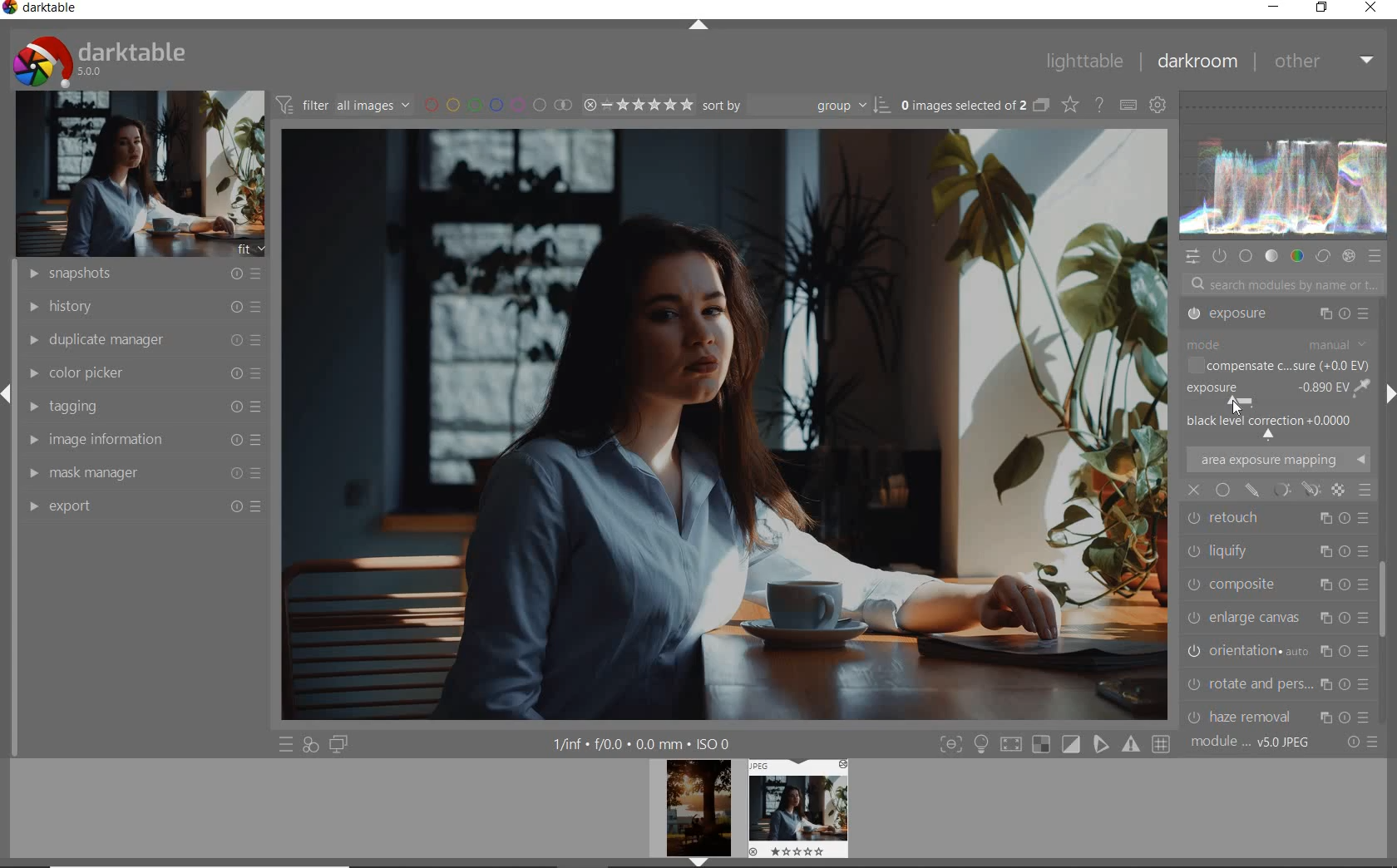 Image resolution: width=1397 pixels, height=868 pixels. What do you see at coordinates (1322, 254) in the screenshot?
I see `CORRECT` at bounding box center [1322, 254].